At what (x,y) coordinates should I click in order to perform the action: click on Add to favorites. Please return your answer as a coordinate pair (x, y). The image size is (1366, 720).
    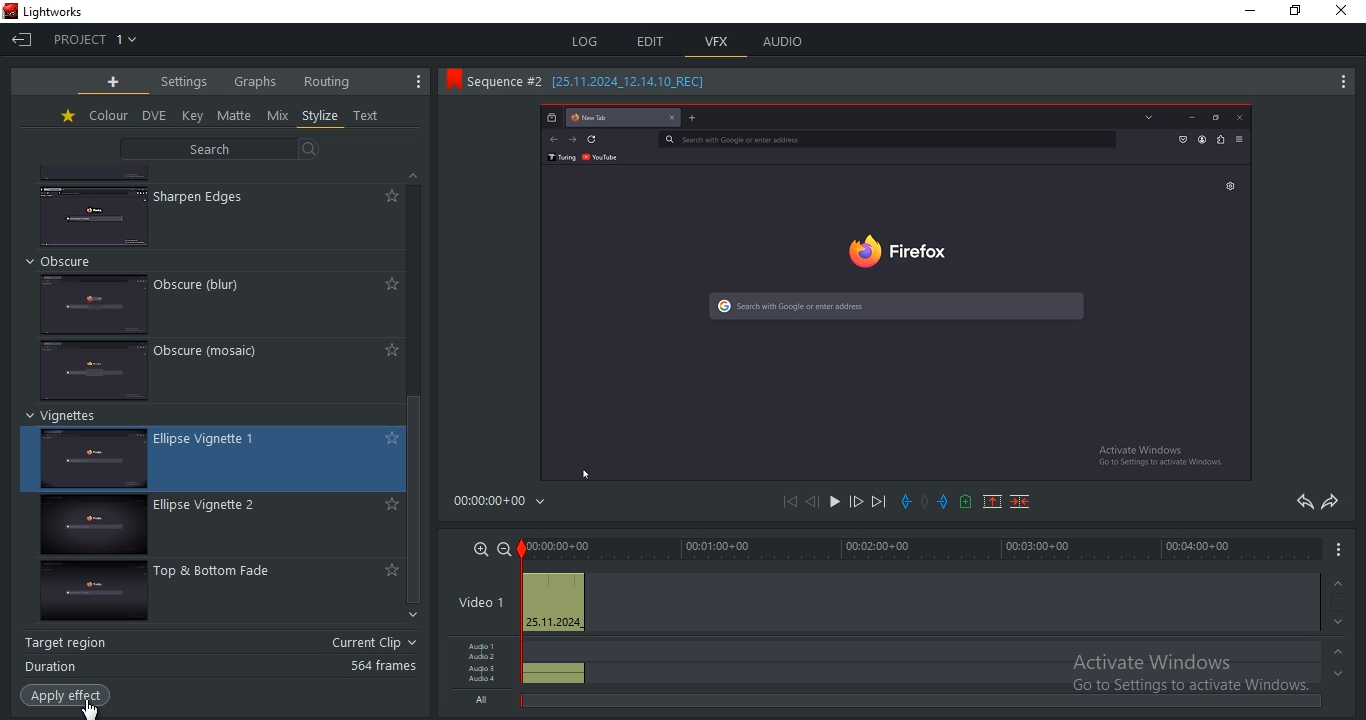
    Looking at the image, I should click on (388, 196).